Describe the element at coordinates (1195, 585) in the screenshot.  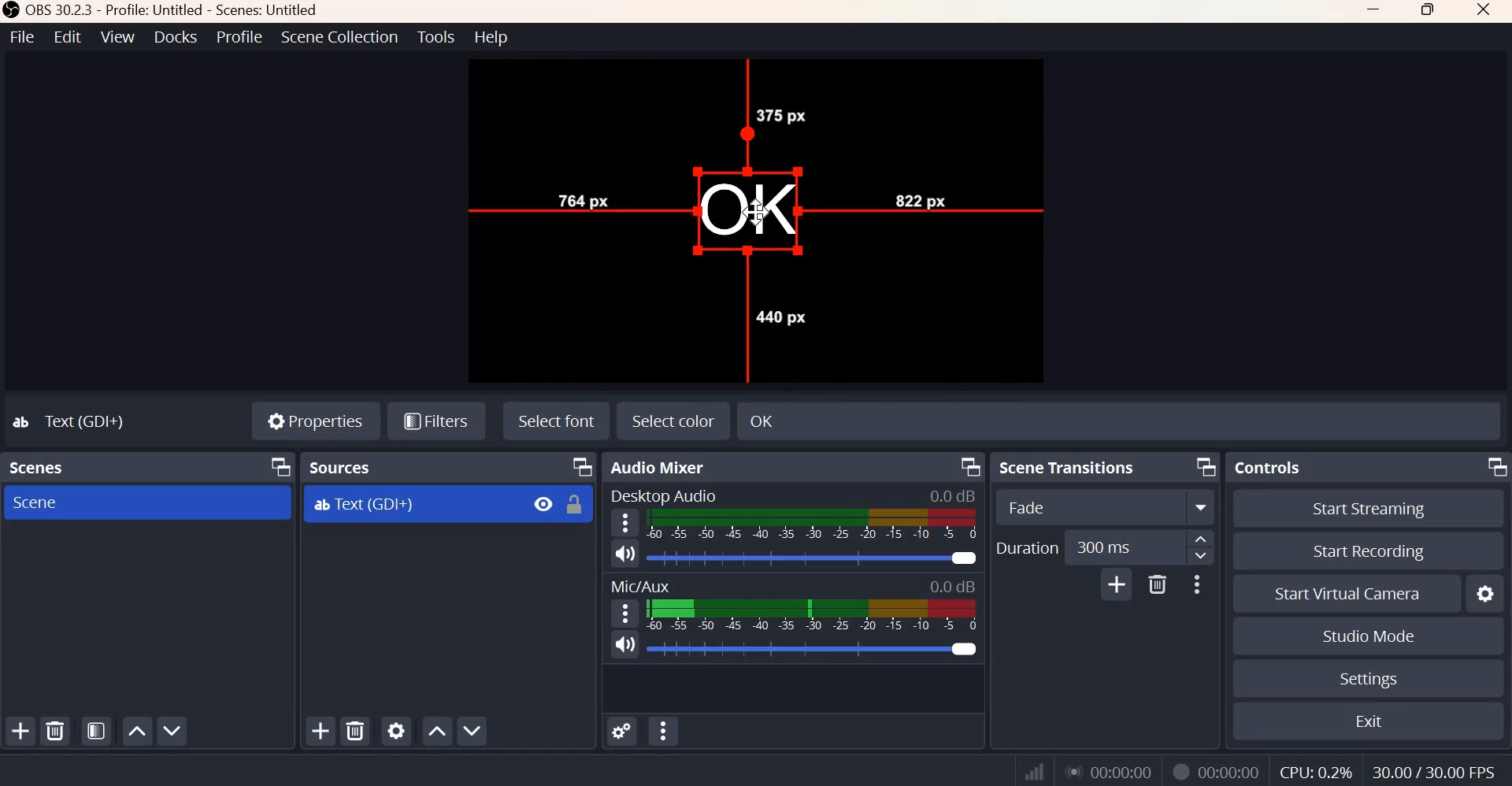
I see `More Options` at that location.